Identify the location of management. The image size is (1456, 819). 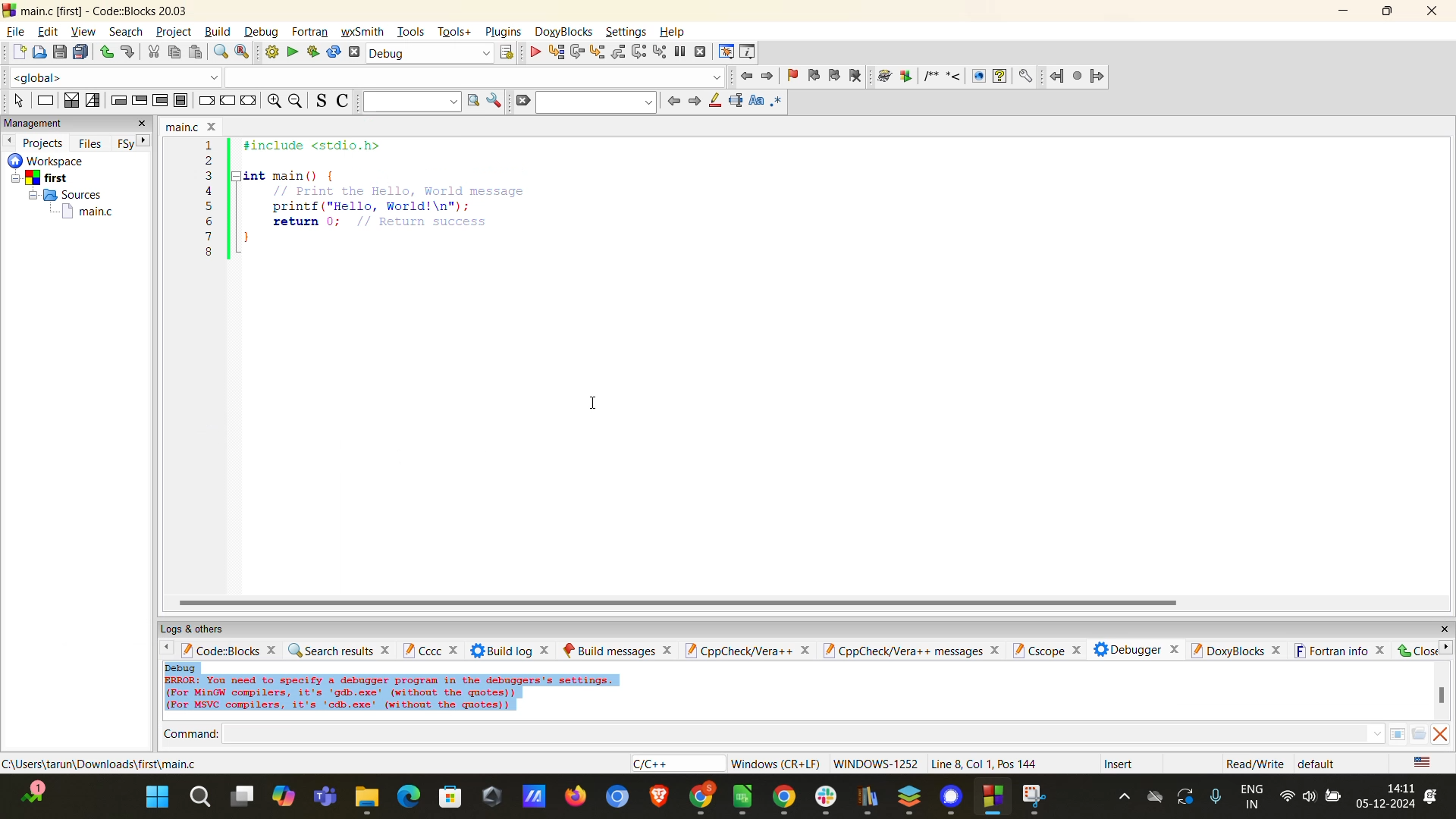
(80, 124).